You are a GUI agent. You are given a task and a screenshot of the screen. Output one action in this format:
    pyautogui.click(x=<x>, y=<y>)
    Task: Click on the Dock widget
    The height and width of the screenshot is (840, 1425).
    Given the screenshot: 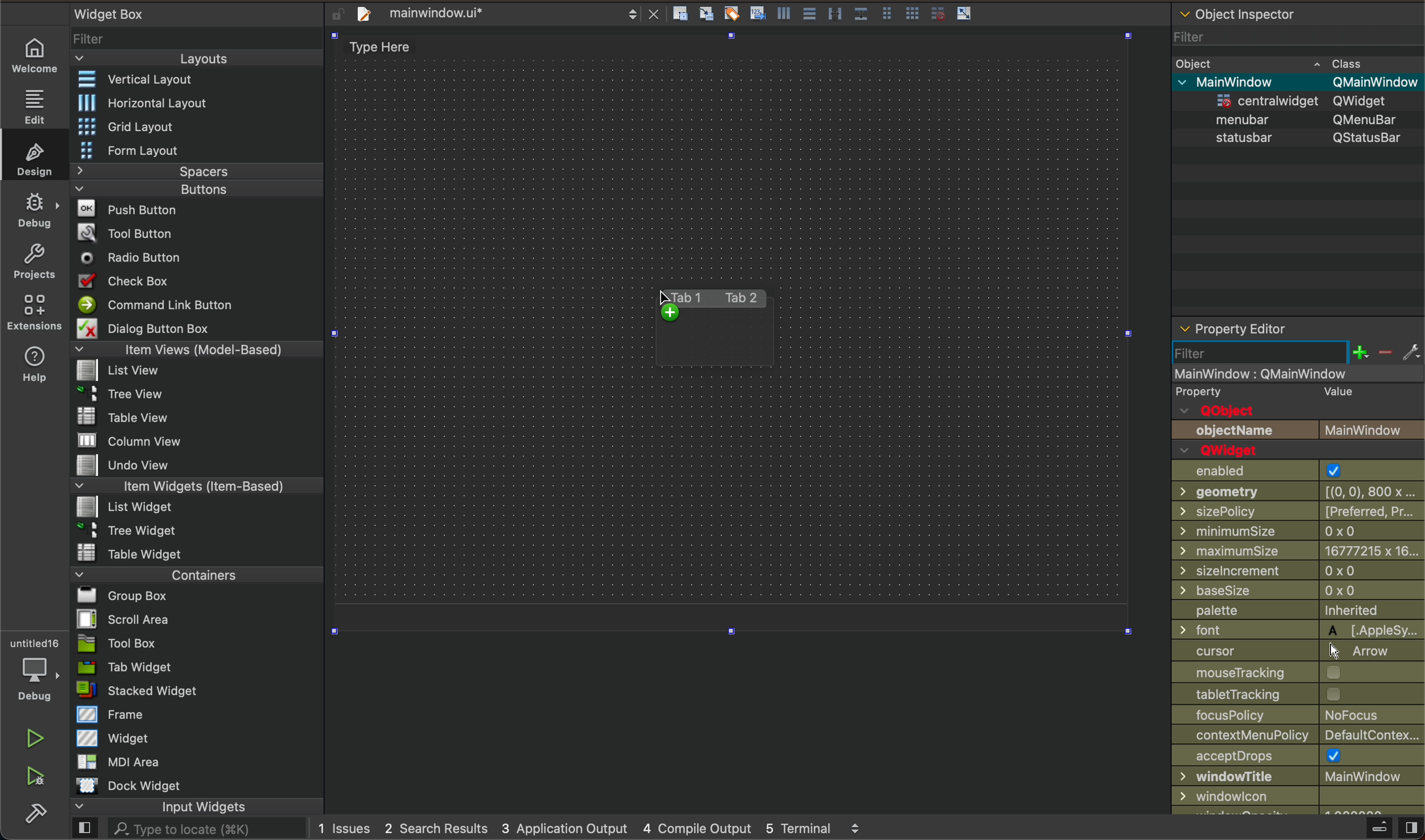 What is the action you would take?
    pyautogui.click(x=146, y=786)
    